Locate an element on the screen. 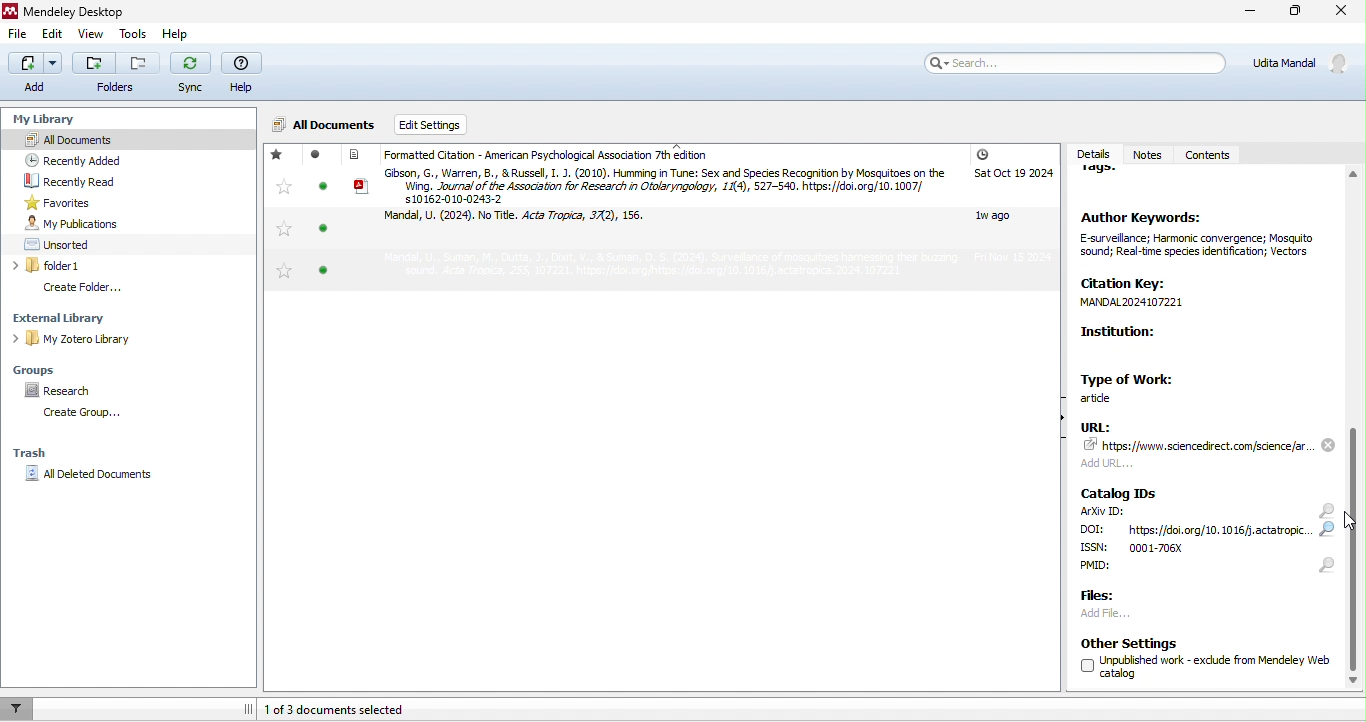 Image resolution: width=1366 pixels, height=722 pixels. edit is located at coordinates (53, 35).